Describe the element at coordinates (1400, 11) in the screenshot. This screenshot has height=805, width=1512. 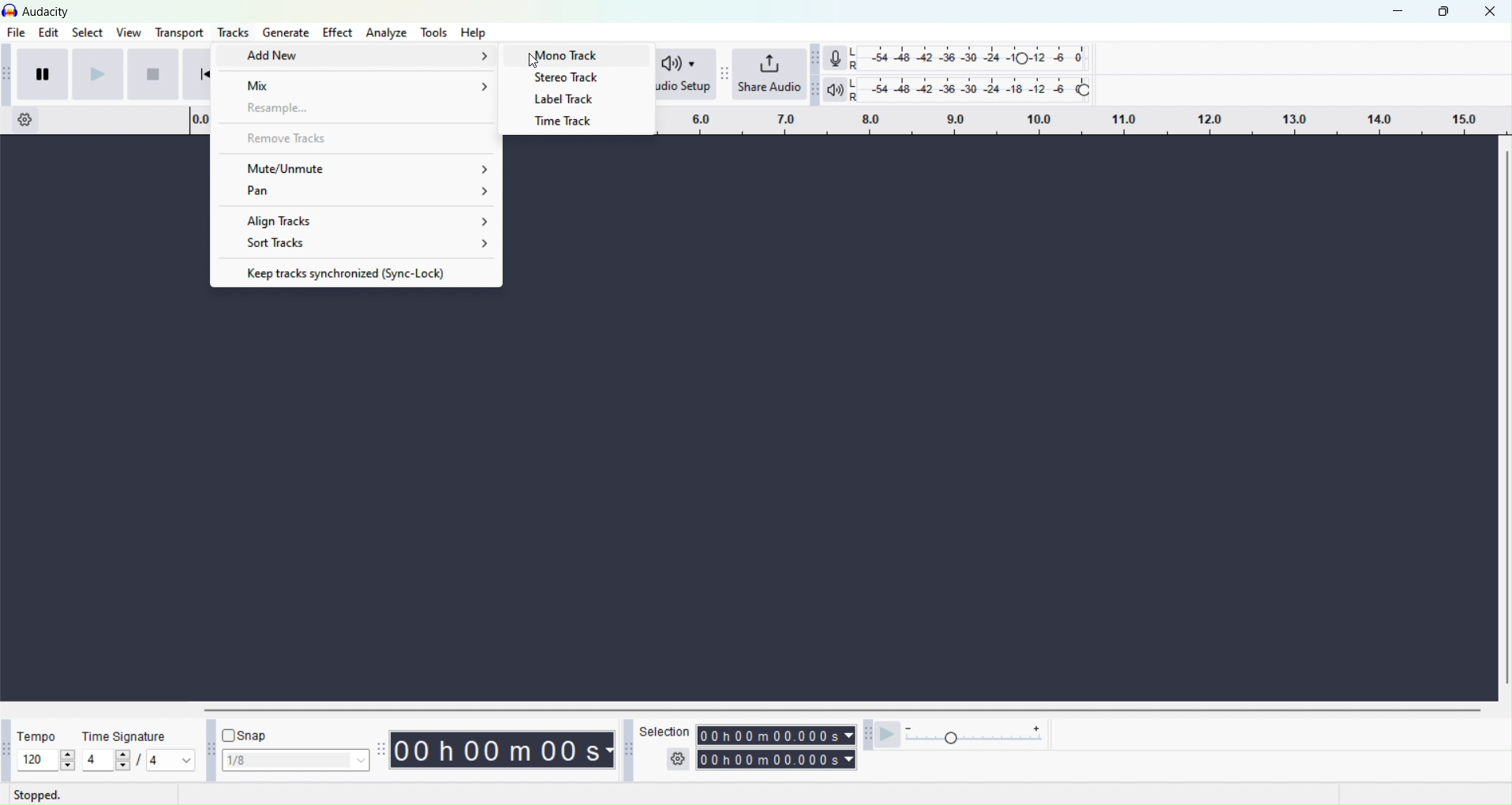
I see `Minimize` at that location.